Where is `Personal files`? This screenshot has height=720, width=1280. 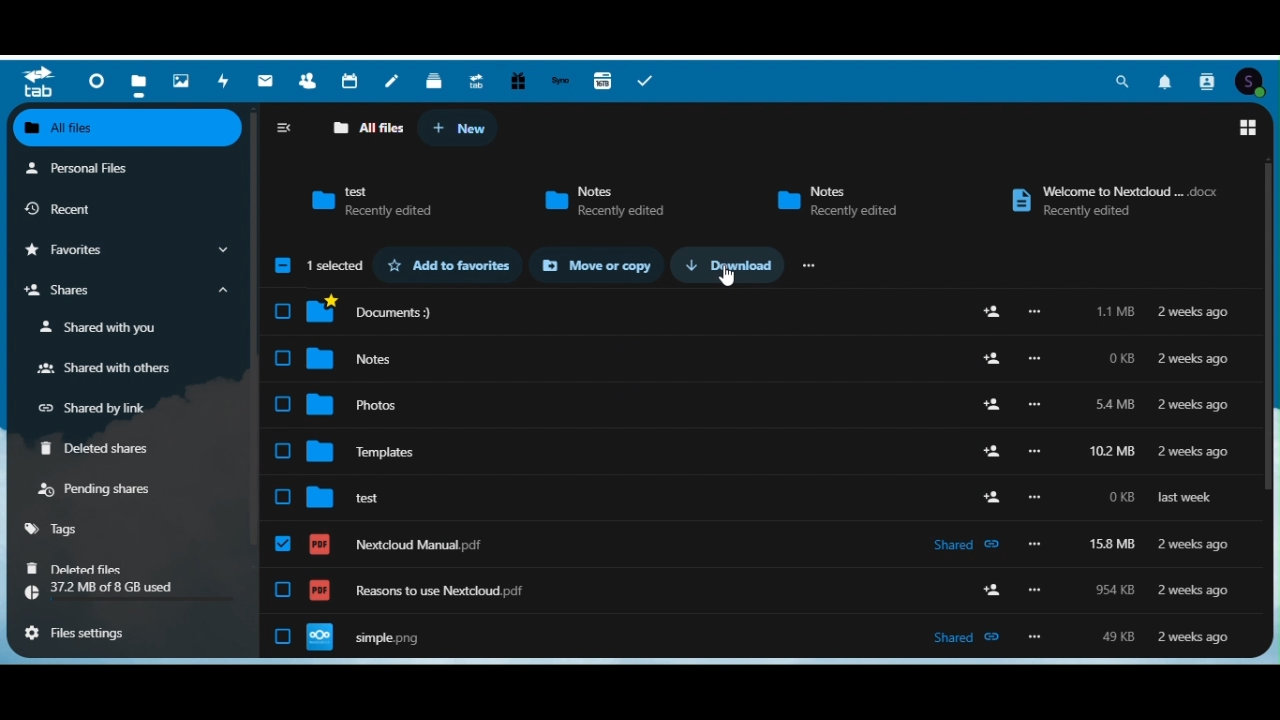
Personal files is located at coordinates (90, 166).